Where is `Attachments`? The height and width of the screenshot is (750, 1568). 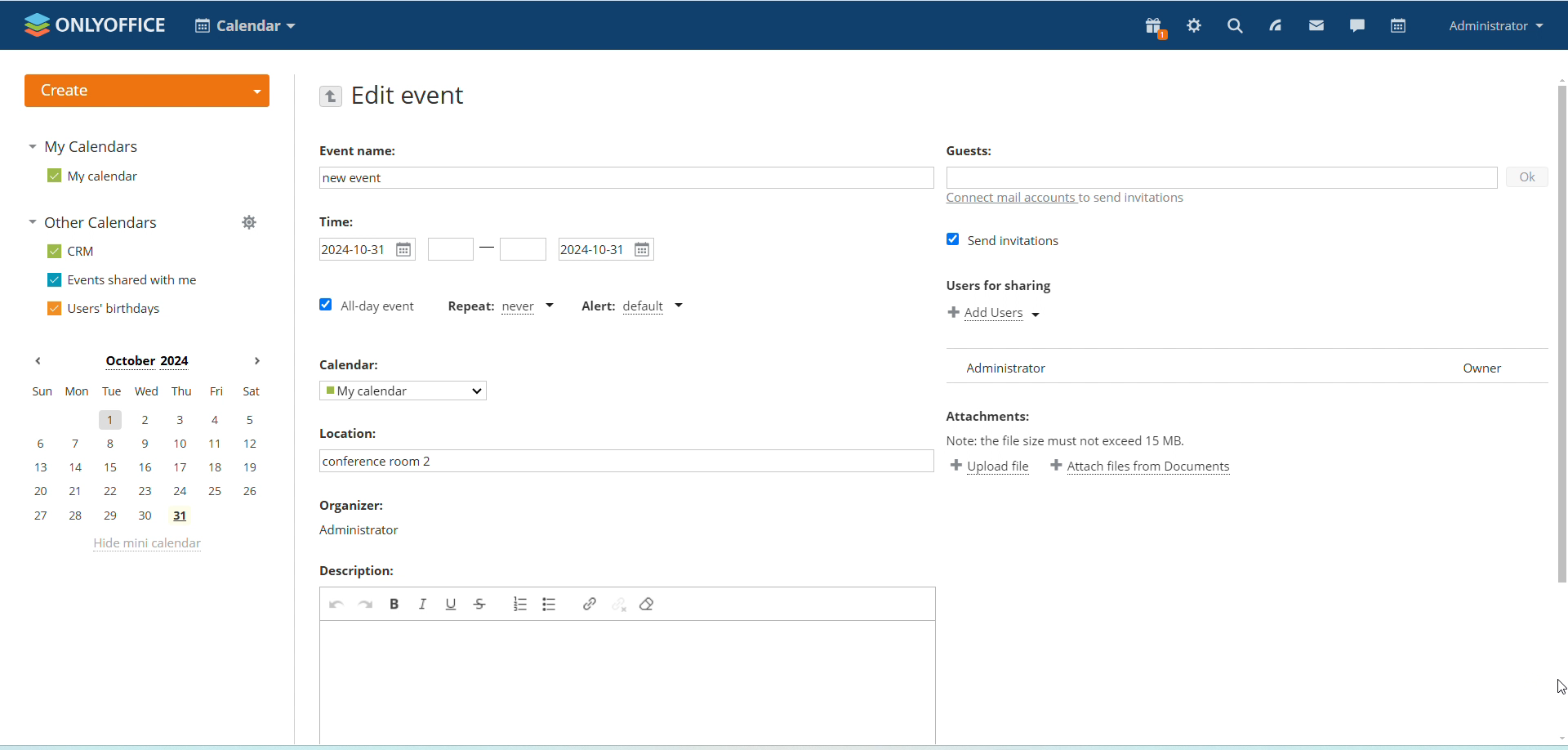 Attachments is located at coordinates (988, 417).